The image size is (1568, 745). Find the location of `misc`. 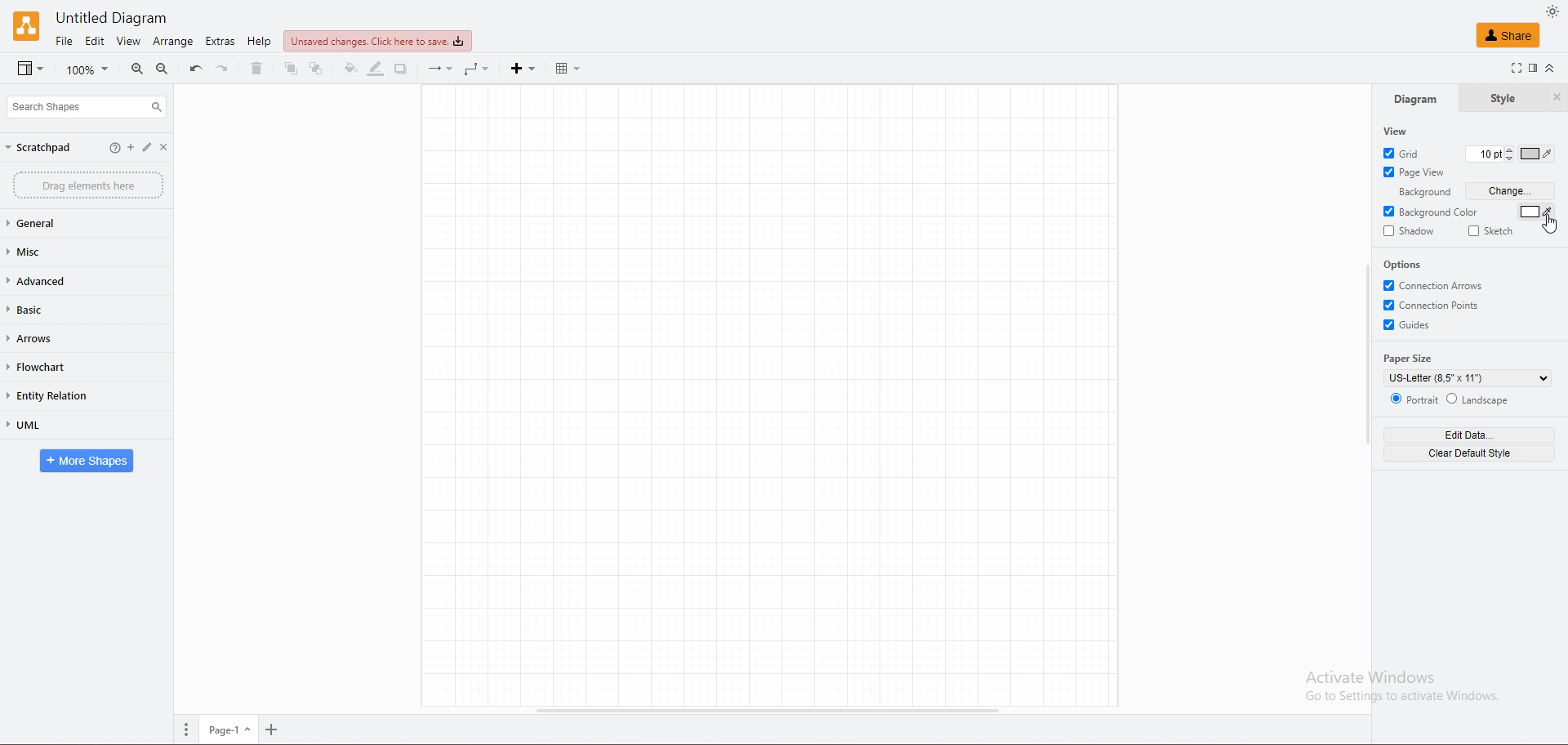

misc is located at coordinates (67, 252).